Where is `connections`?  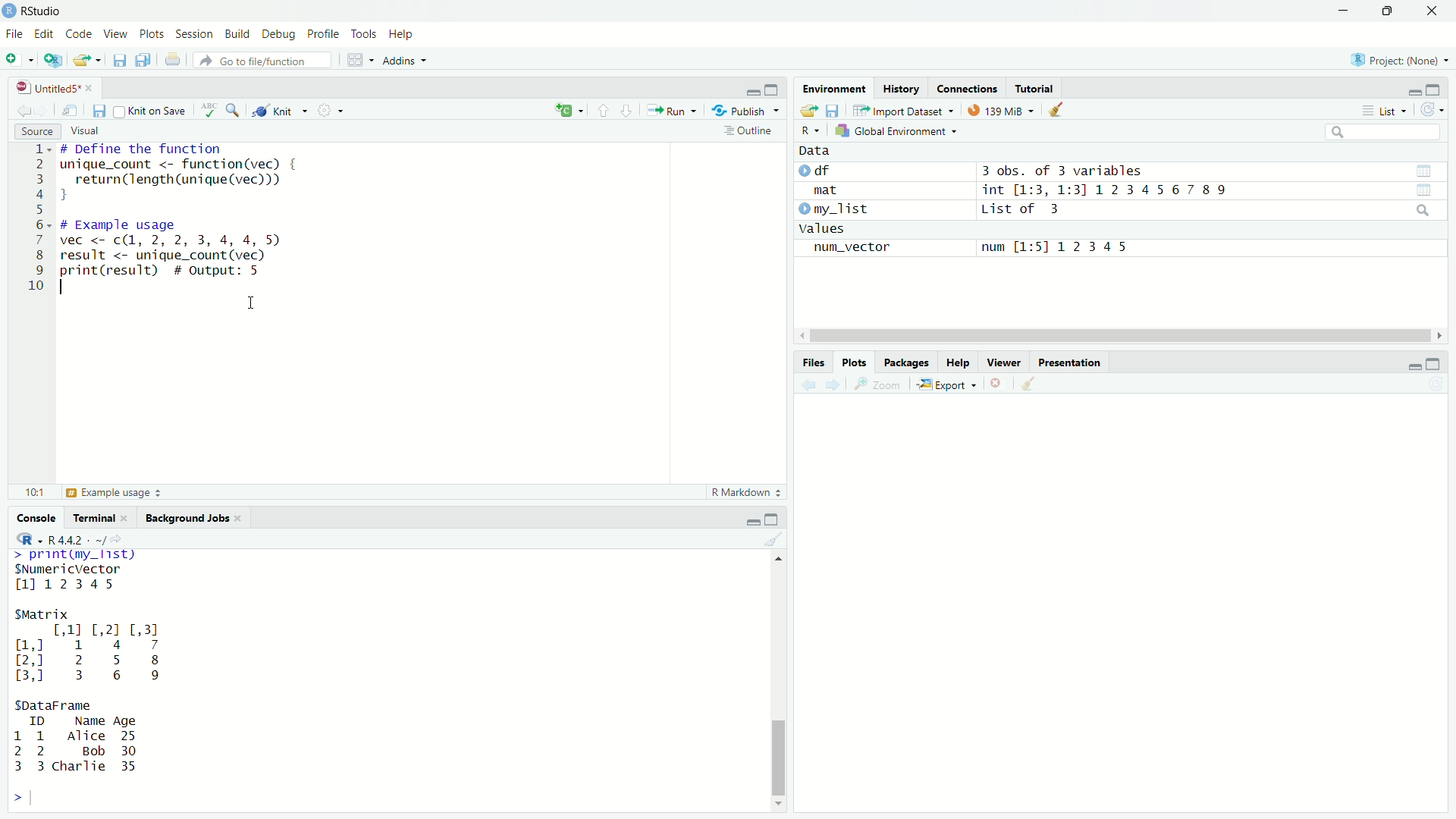 connections is located at coordinates (967, 88).